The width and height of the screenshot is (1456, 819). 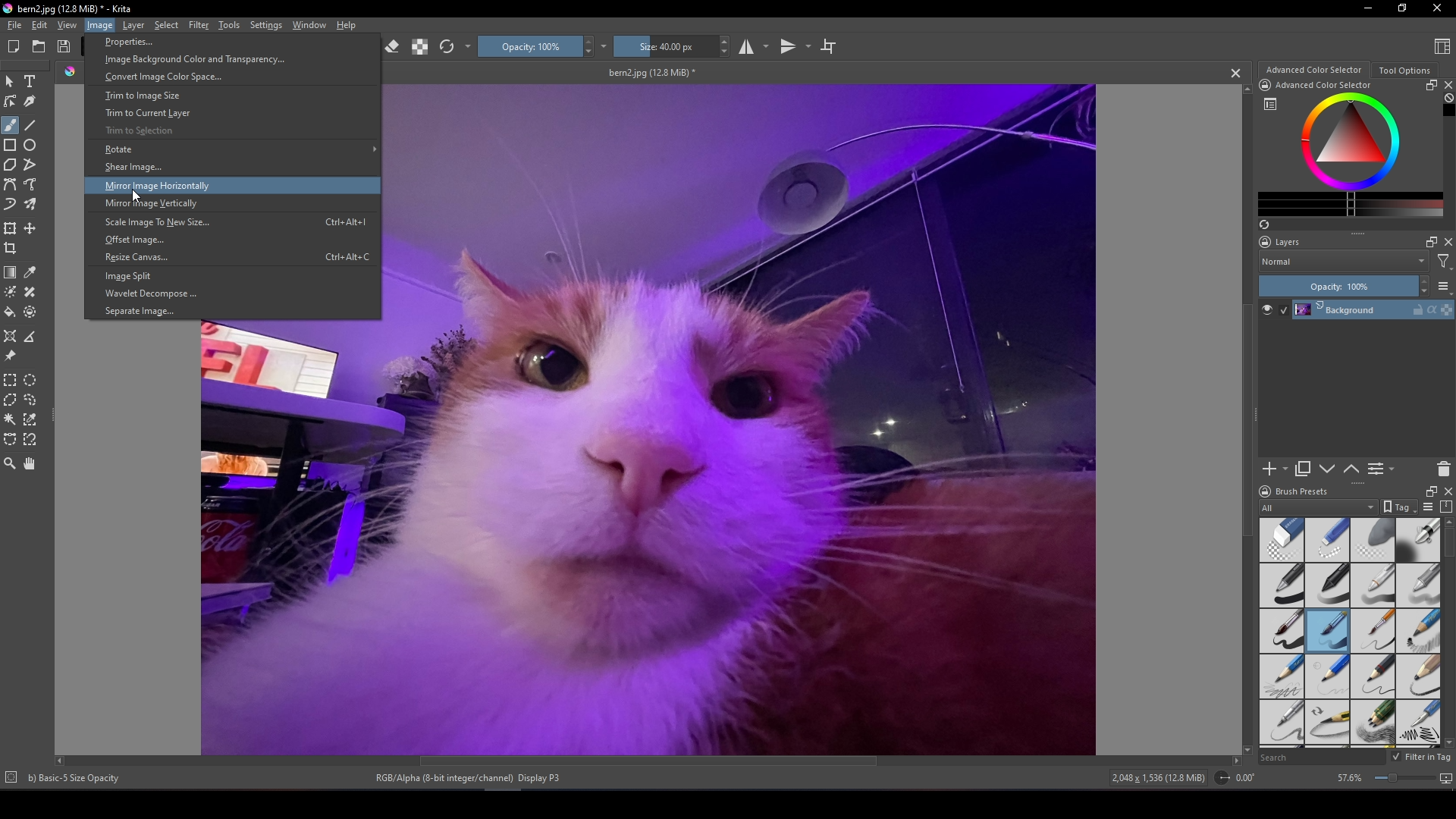 I want to click on Options, so click(x=469, y=46).